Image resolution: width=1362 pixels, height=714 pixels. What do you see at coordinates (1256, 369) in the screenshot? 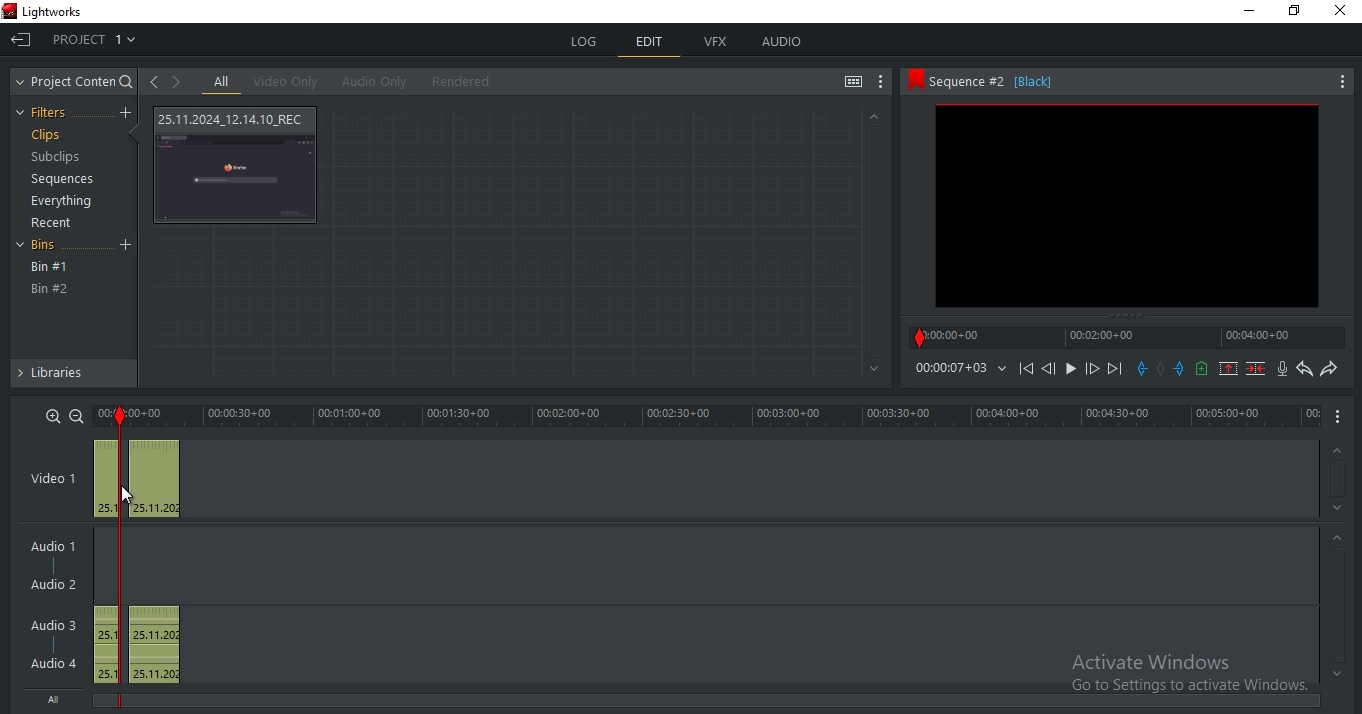
I see `delete marked section` at bounding box center [1256, 369].